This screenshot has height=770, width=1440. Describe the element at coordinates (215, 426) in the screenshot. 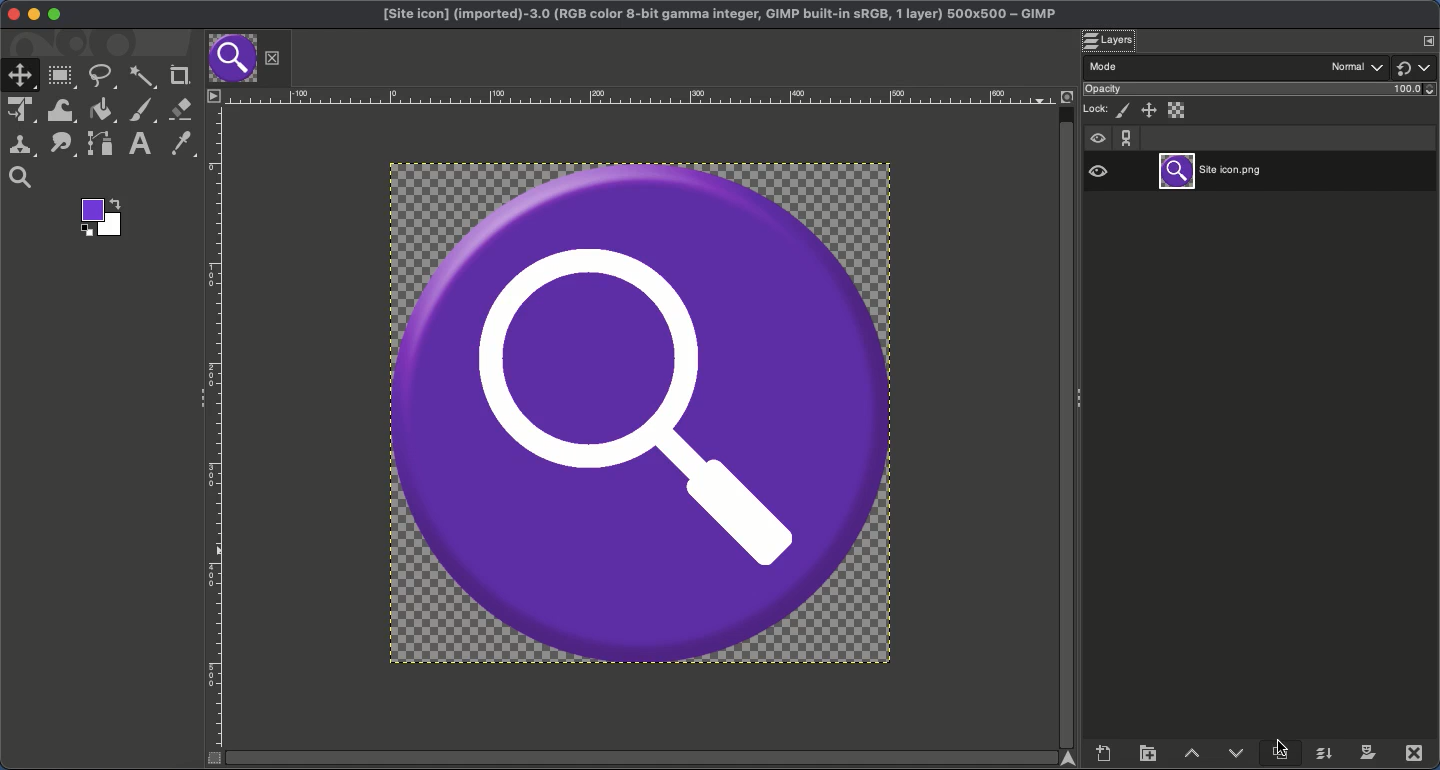

I see `Ruler` at that location.